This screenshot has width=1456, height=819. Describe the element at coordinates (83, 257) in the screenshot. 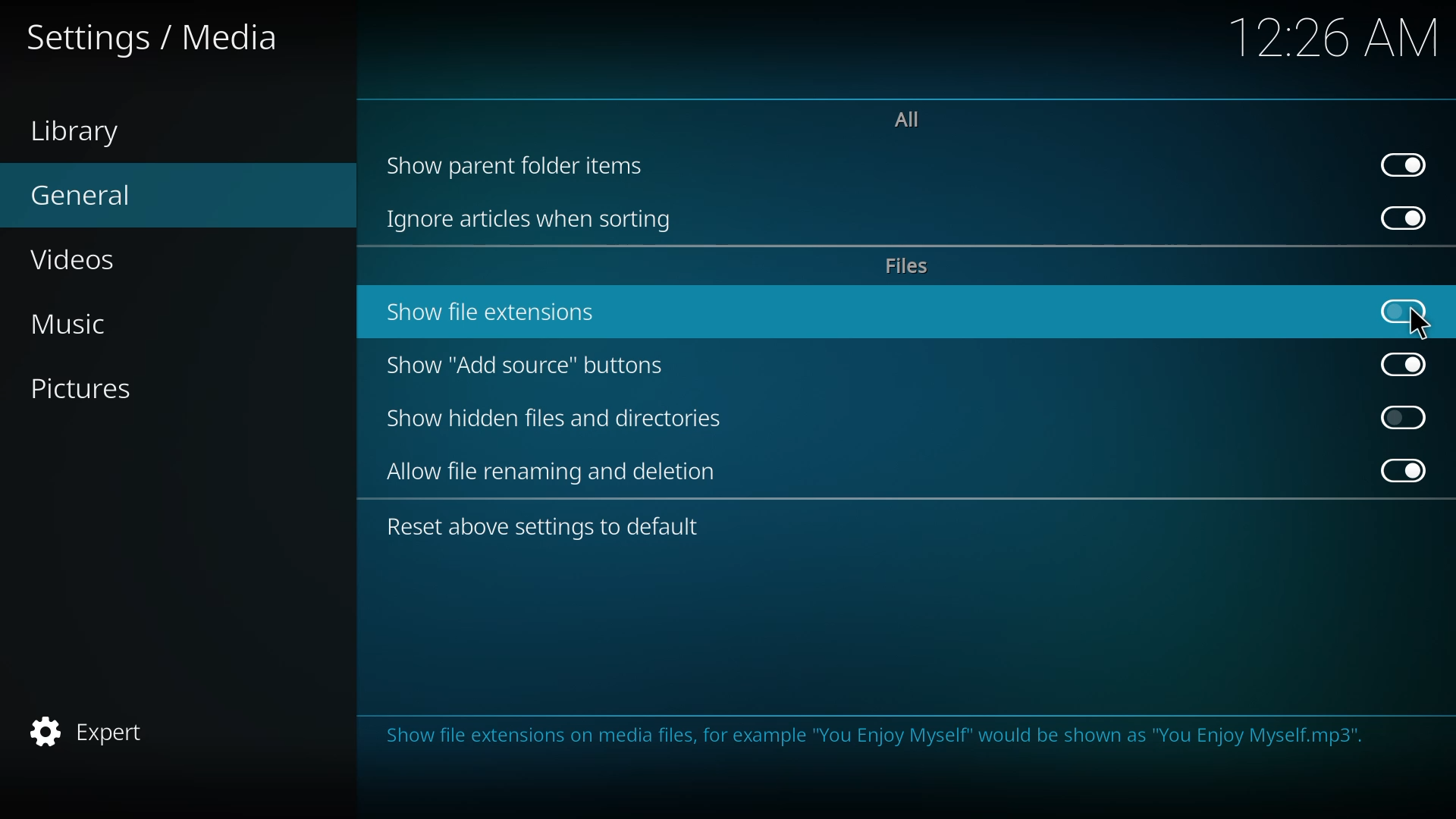

I see `videos` at that location.